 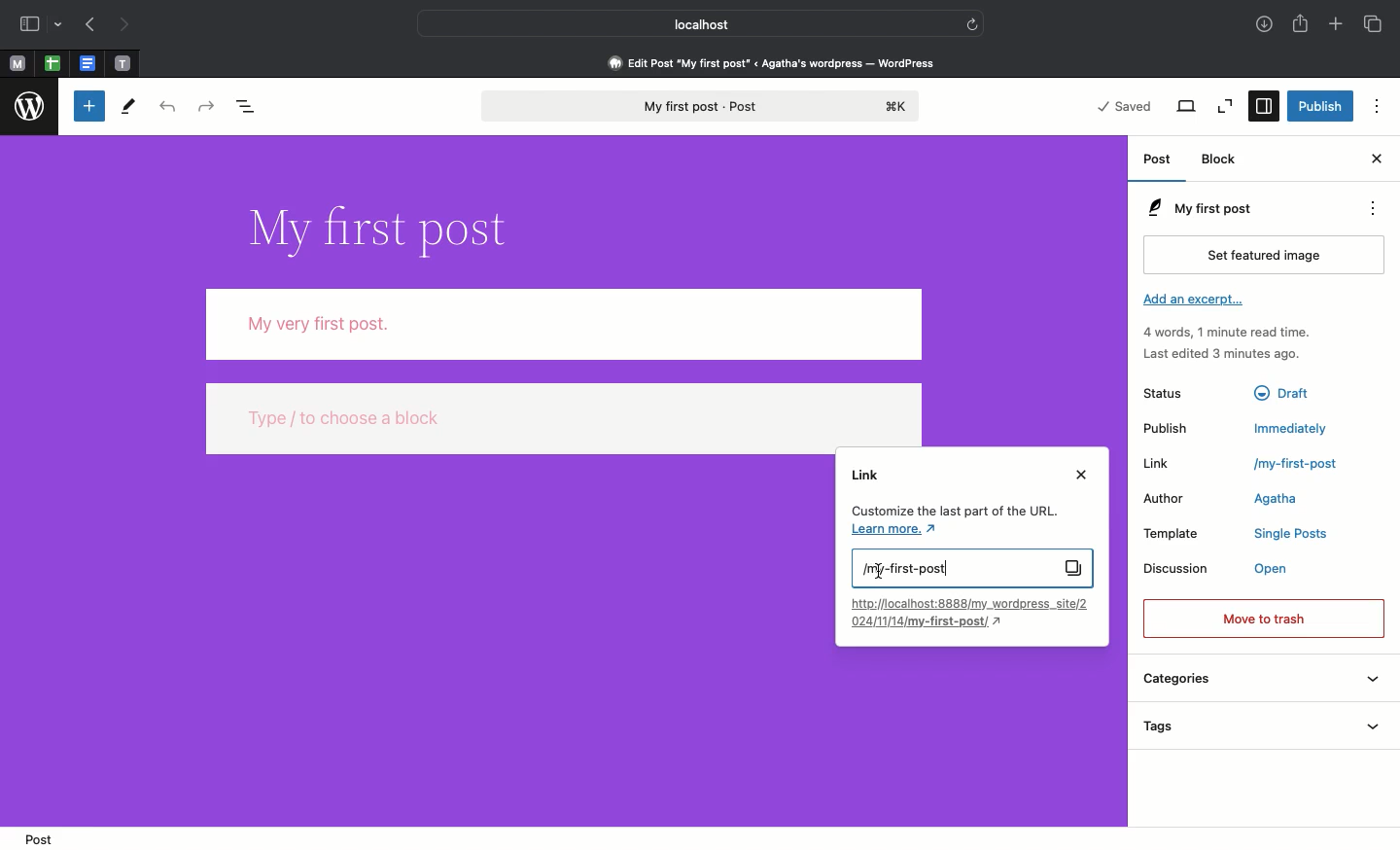 What do you see at coordinates (971, 568) in the screenshot?
I see `My first post` at bounding box center [971, 568].